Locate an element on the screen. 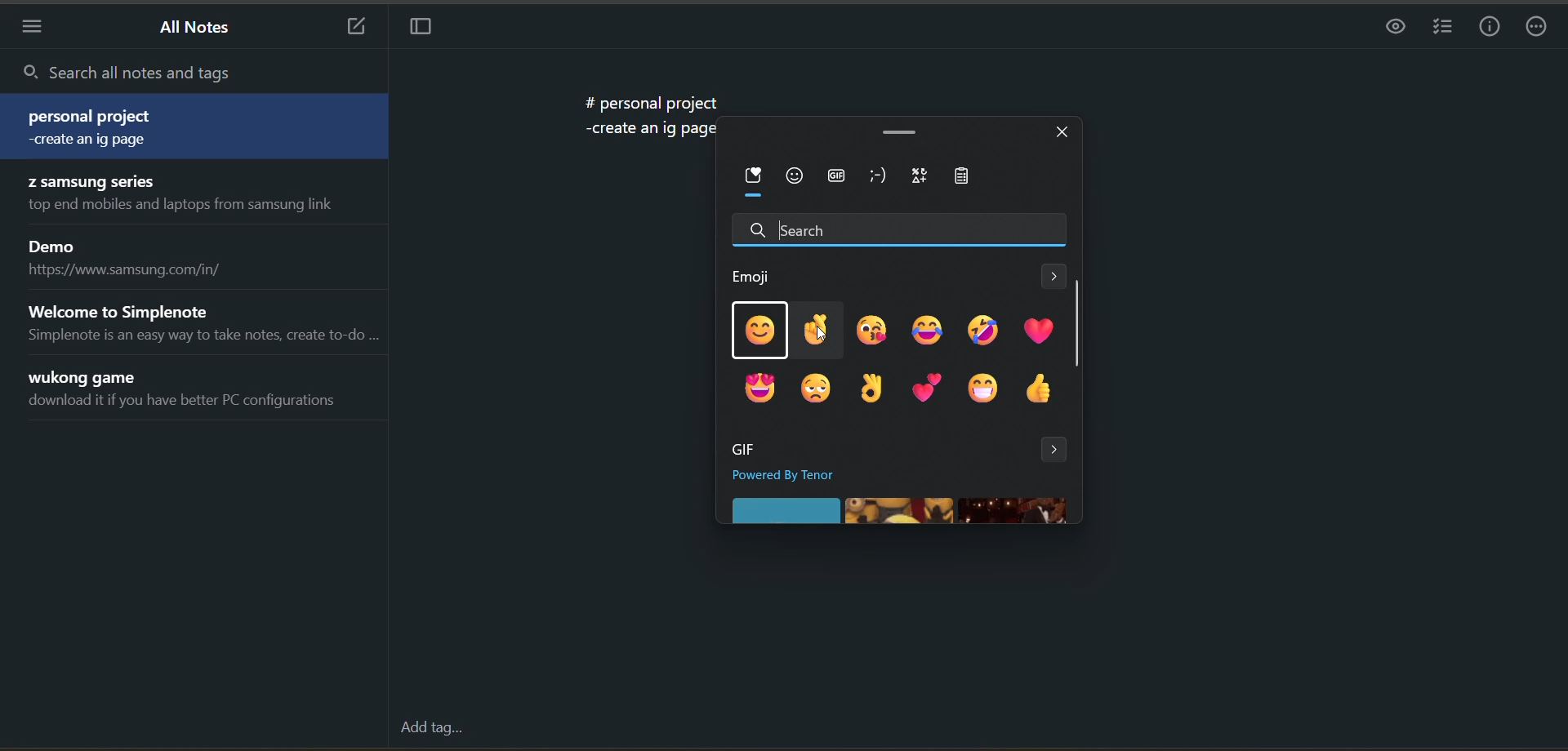 The image size is (1568, 751). emoji 4 is located at coordinates (931, 332).